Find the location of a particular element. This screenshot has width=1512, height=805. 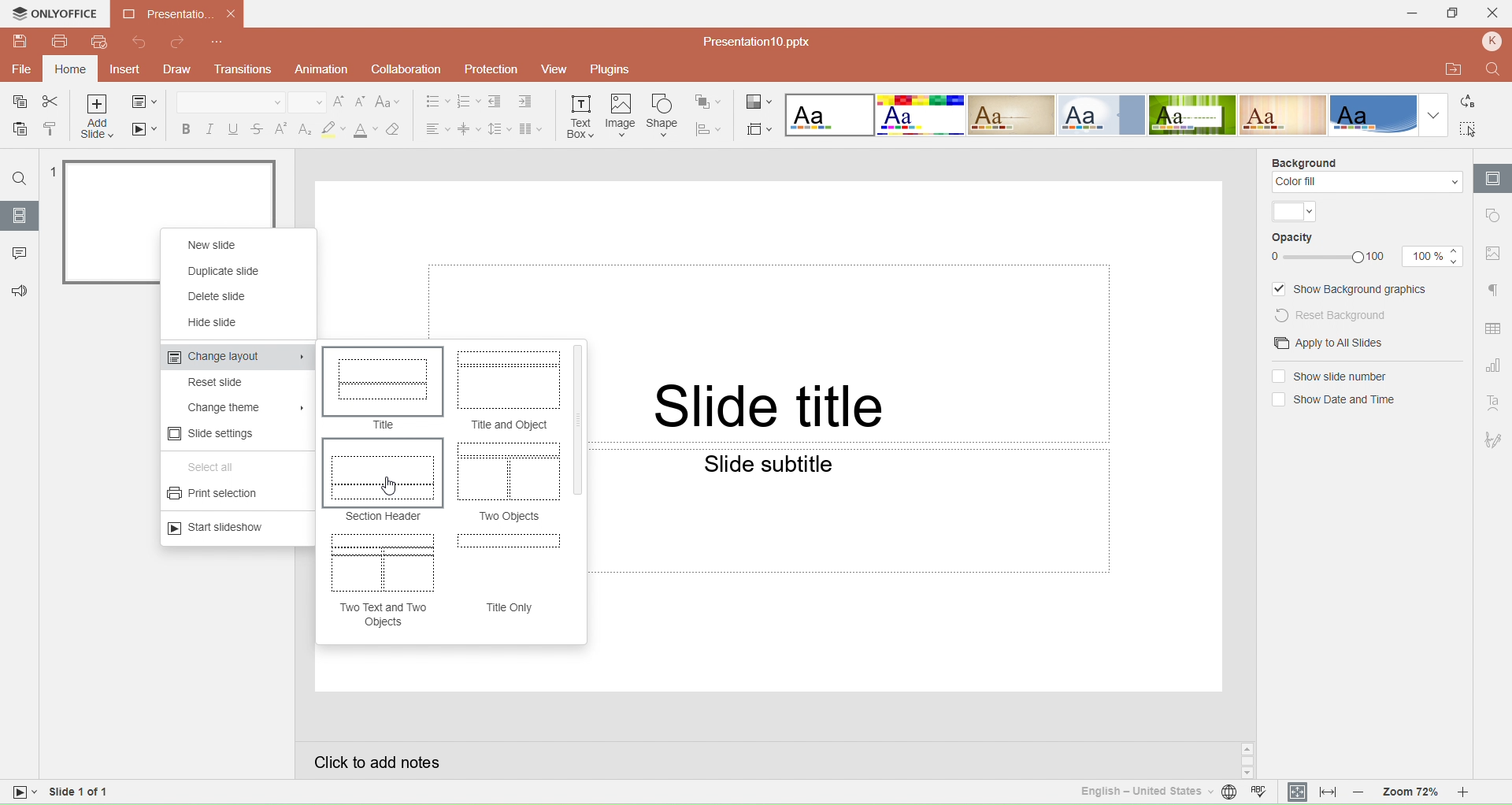

Spell check is located at coordinates (1262, 793).